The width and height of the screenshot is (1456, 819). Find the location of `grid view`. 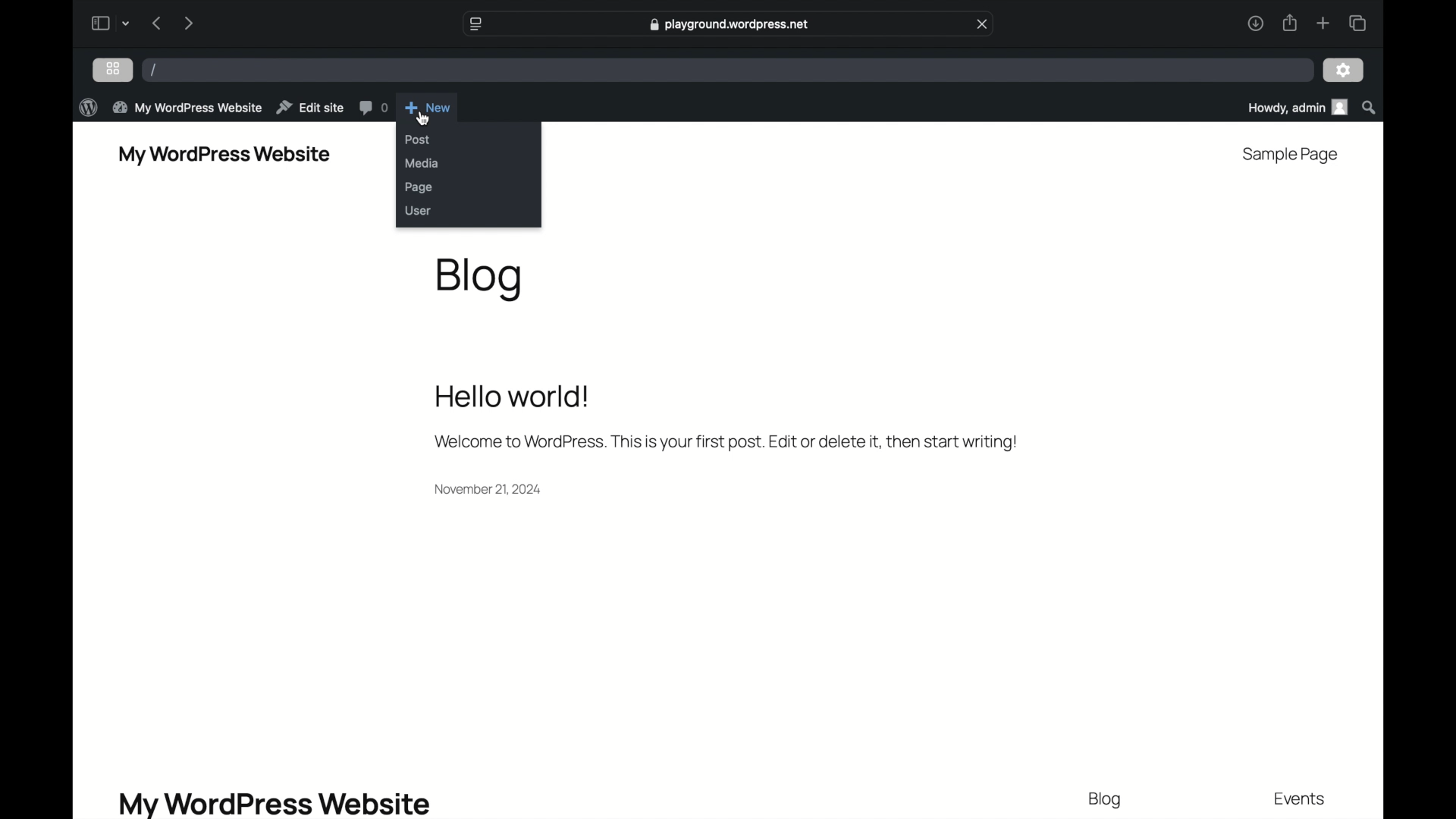

grid view is located at coordinates (113, 68).